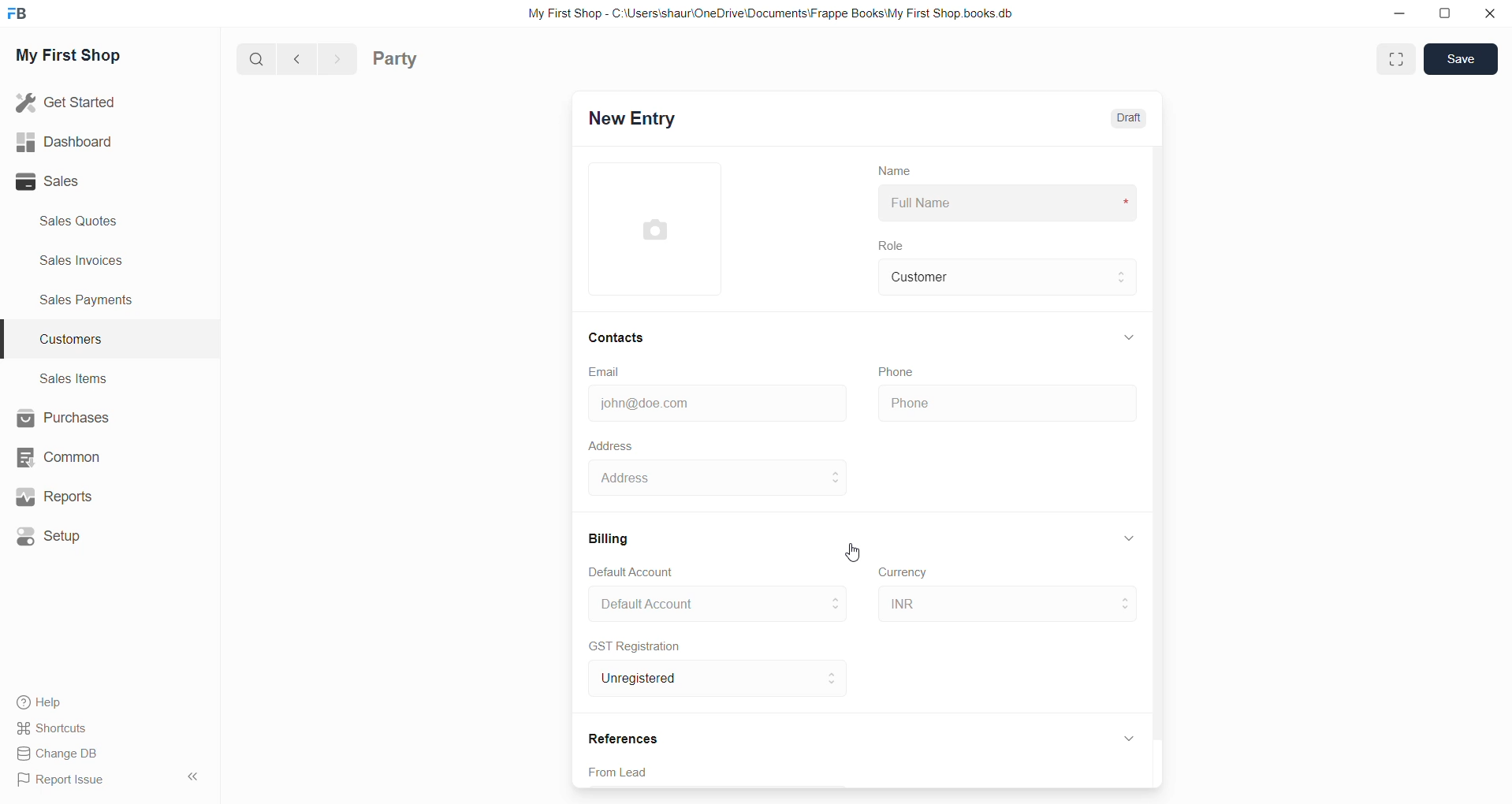  What do you see at coordinates (64, 418) in the screenshot?
I see `Purchases` at bounding box center [64, 418].